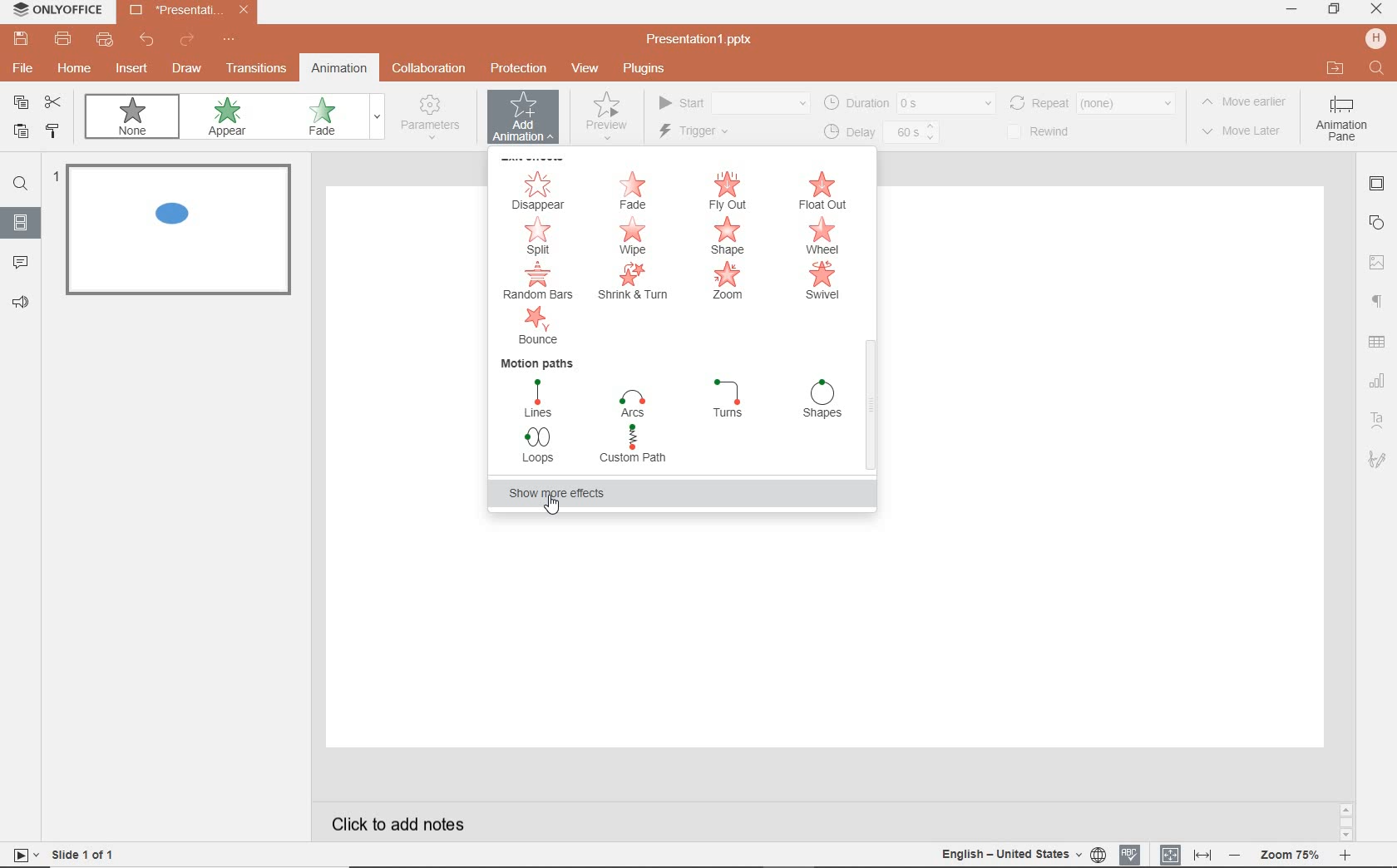 The height and width of the screenshot is (868, 1397). Describe the element at coordinates (1091, 101) in the screenshot. I see `rewind` at that location.